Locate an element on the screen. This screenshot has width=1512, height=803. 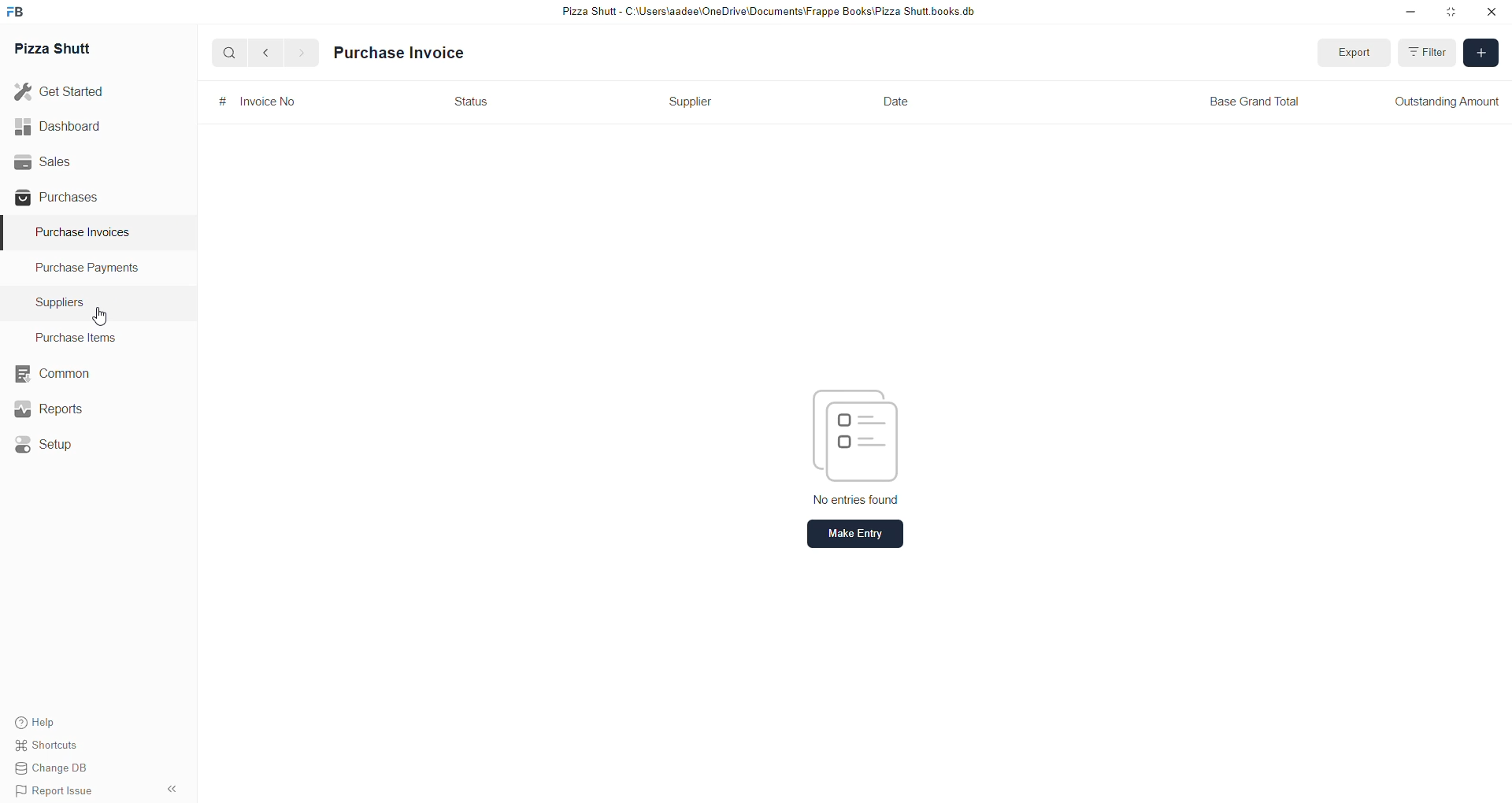
 Change DB is located at coordinates (57, 770).